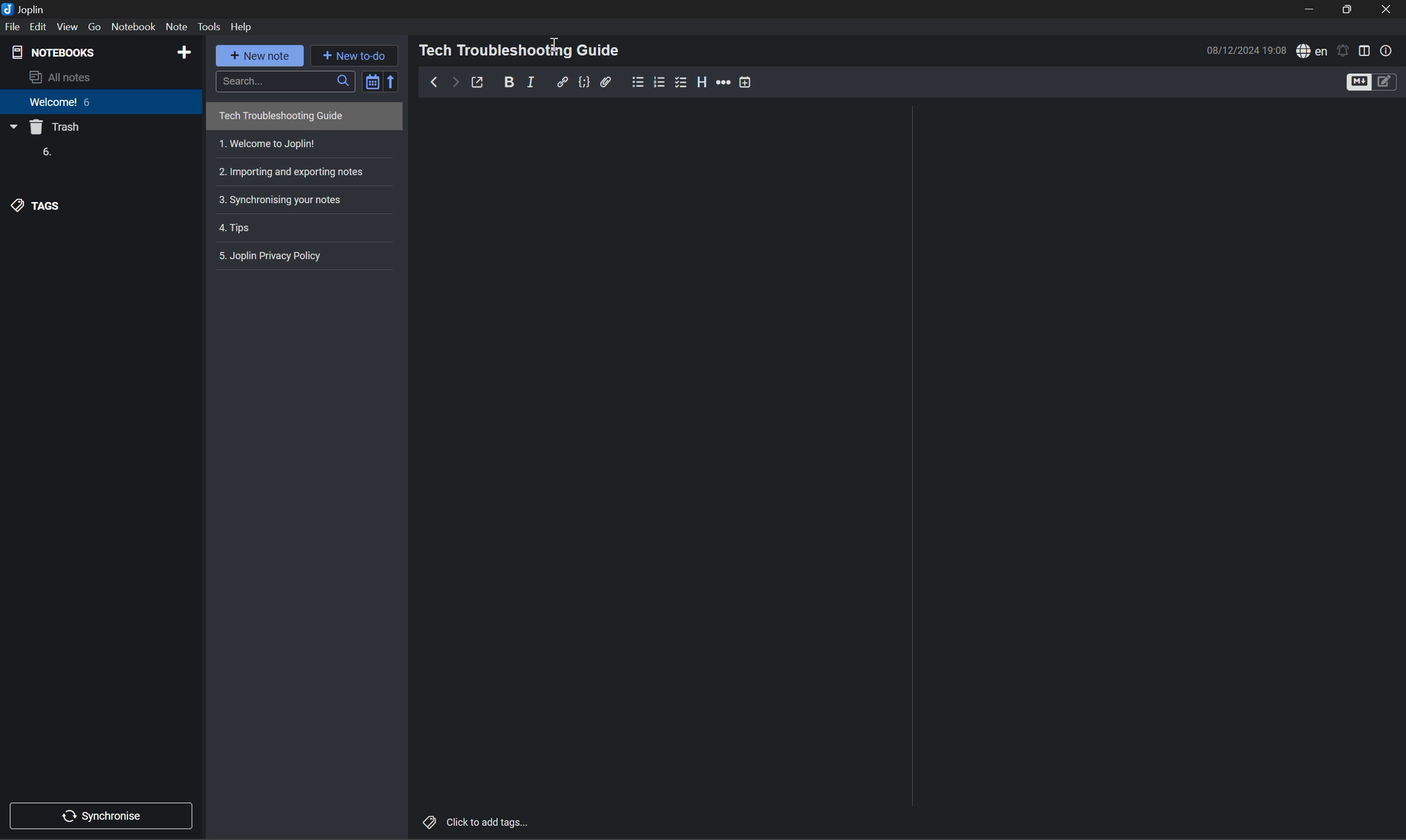 This screenshot has height=840, width=1406. I want to click on cursor, so click(555, 41).